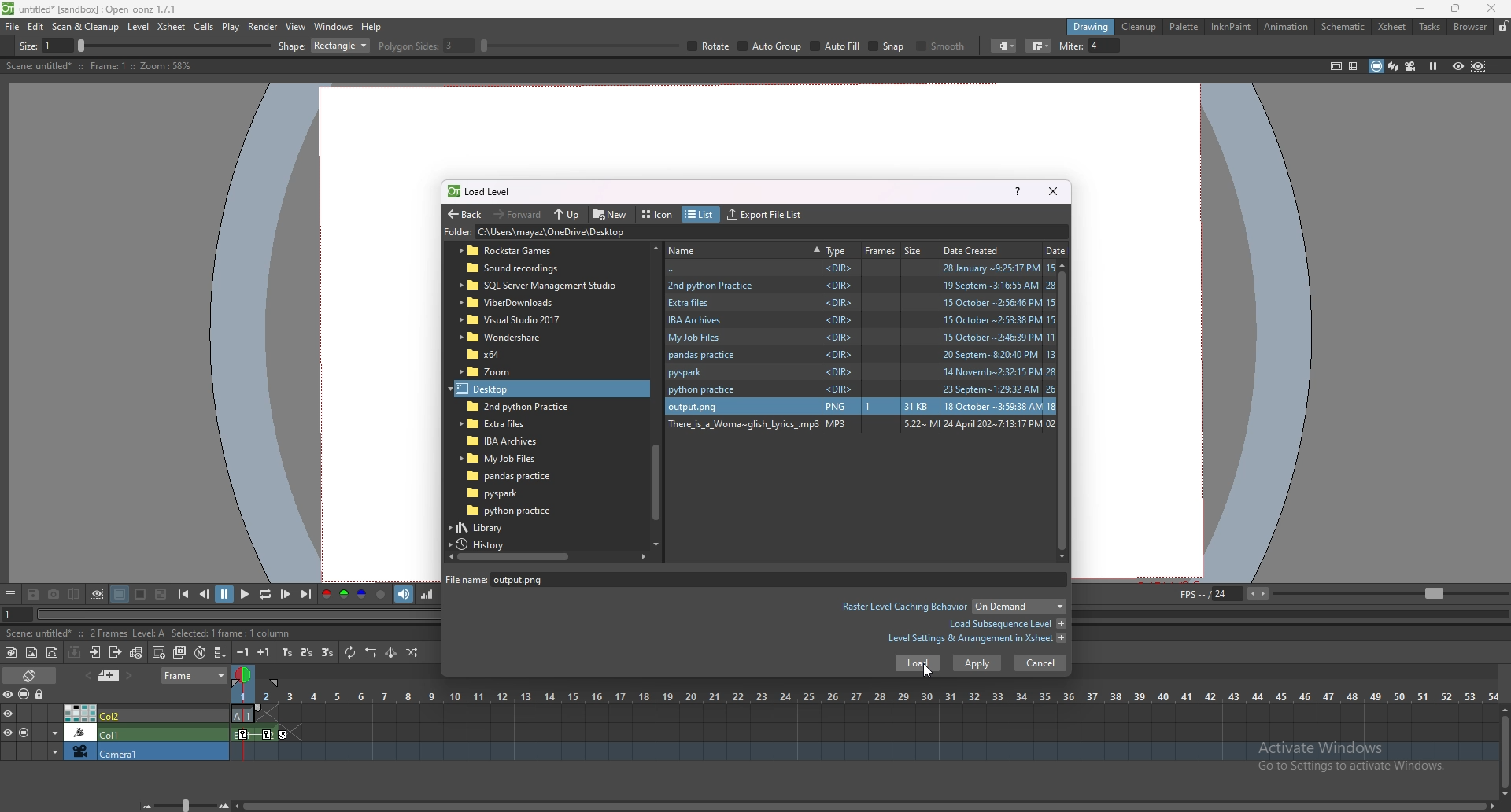 The image size is (1511, 812). What do you see at coordinates (327, 652) in the screenshot?
I see `reframe on 3s` at bounding box center [327, 652].